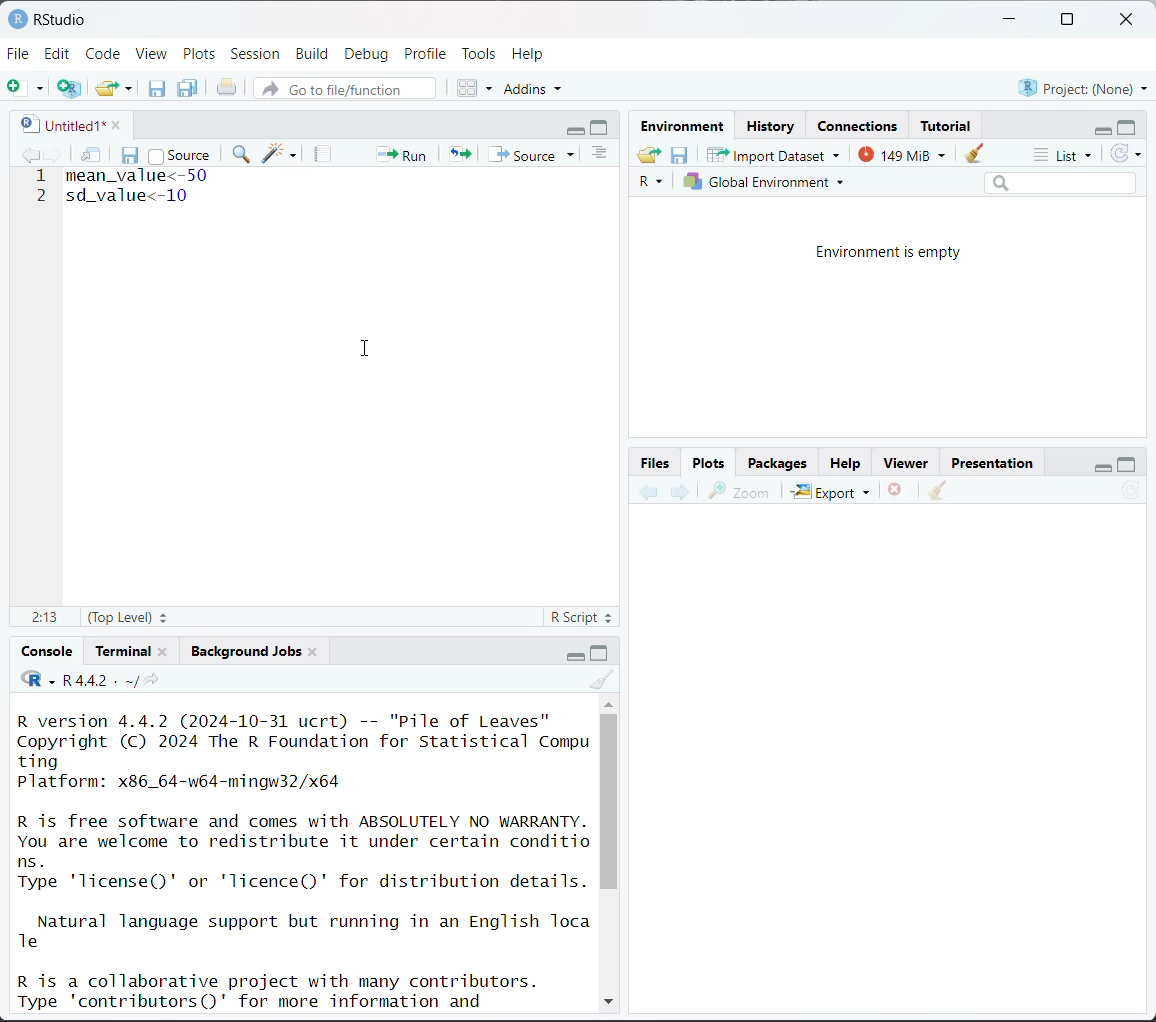  Describe the element at coordinates (860, 126) in the screenshot. I see `Connections` at that location.